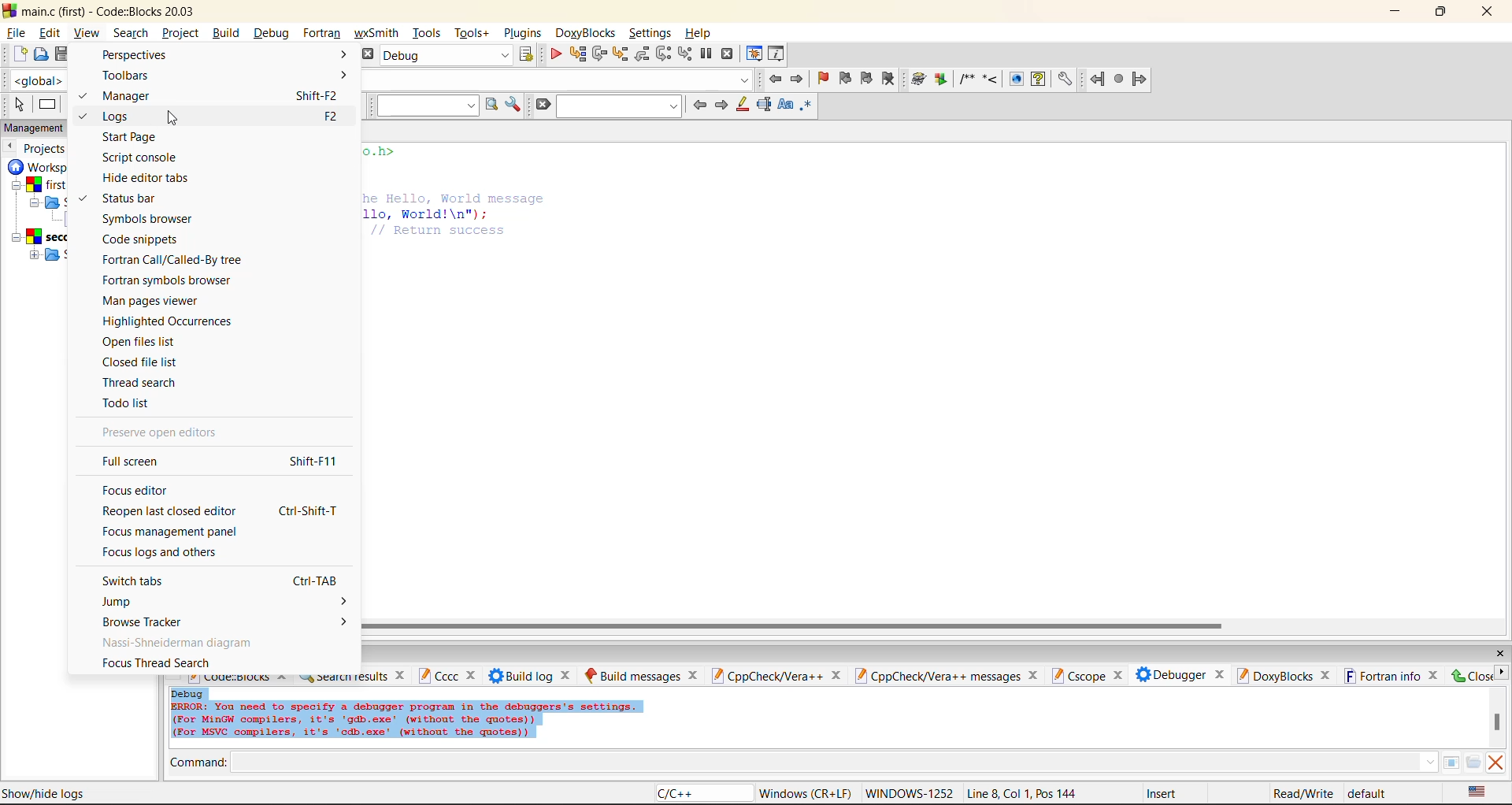 The width and height of the screenshot is (1512, 805). What do you see at coordinates (805, 792) in the screenshot?
I see `Windows (CR+LF)` at bounding box center [805, 792].